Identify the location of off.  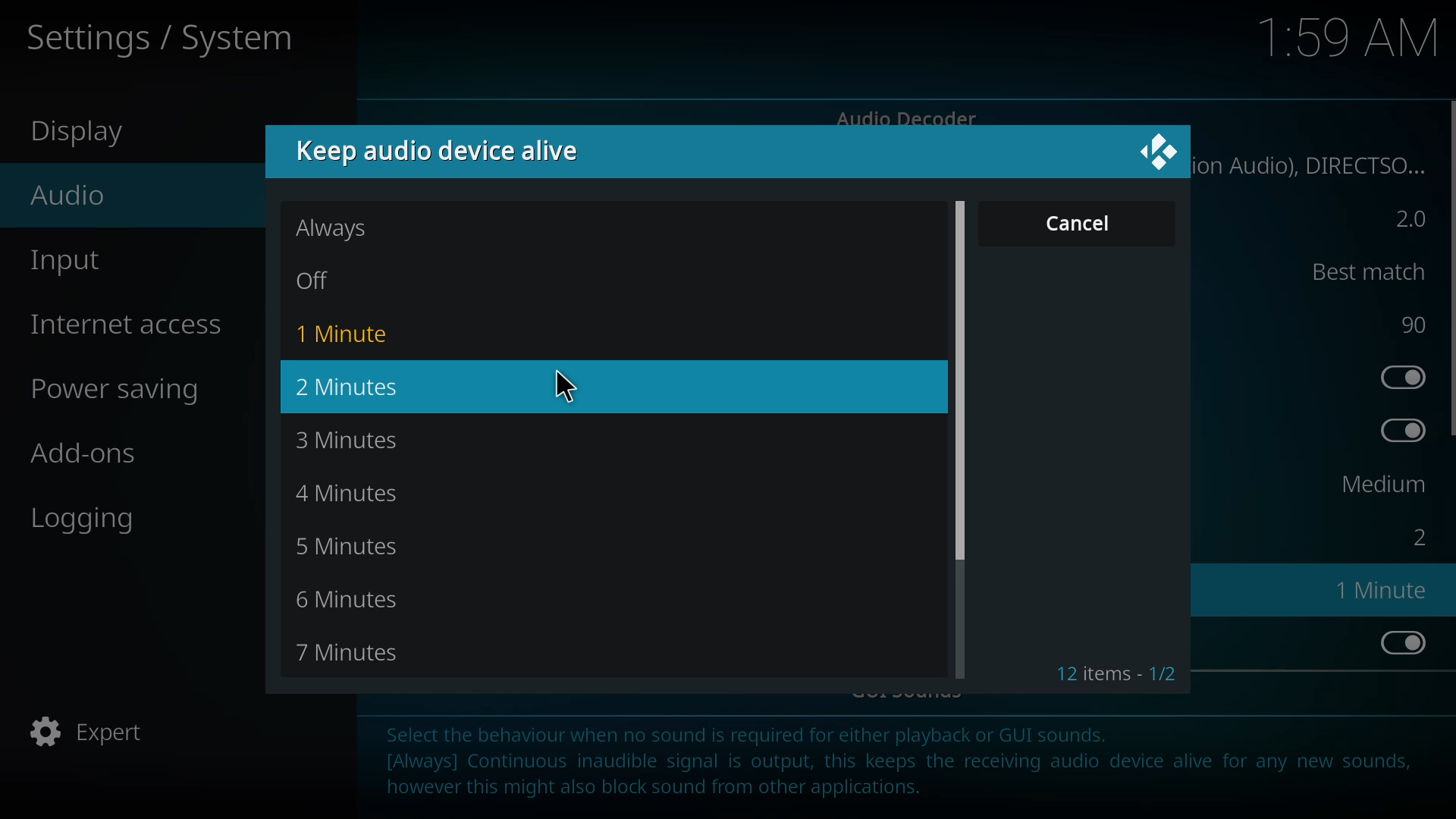
(331, 281).